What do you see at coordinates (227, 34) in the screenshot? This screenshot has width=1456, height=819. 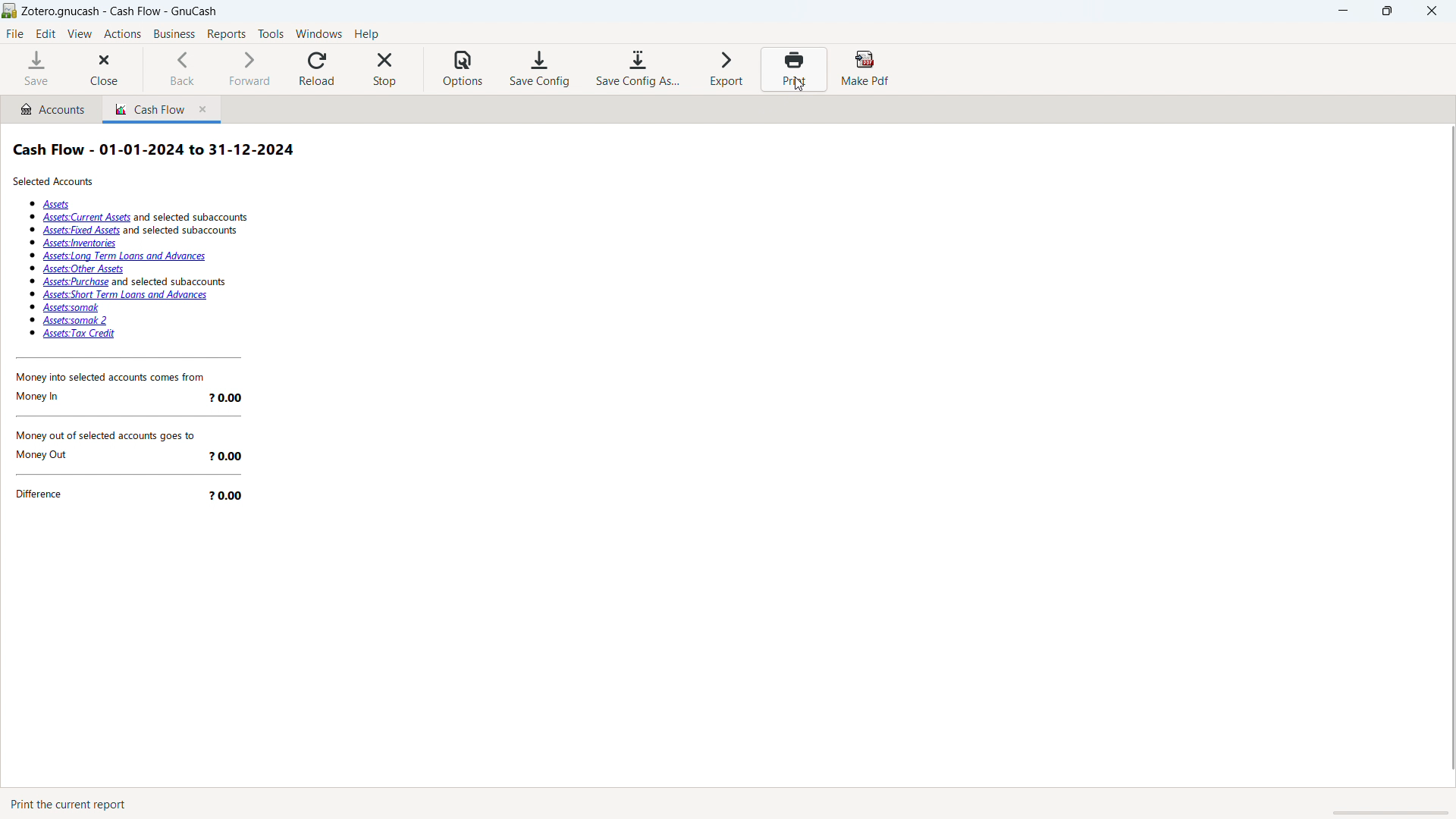 I see `reports` at bounding box center [227, 34].